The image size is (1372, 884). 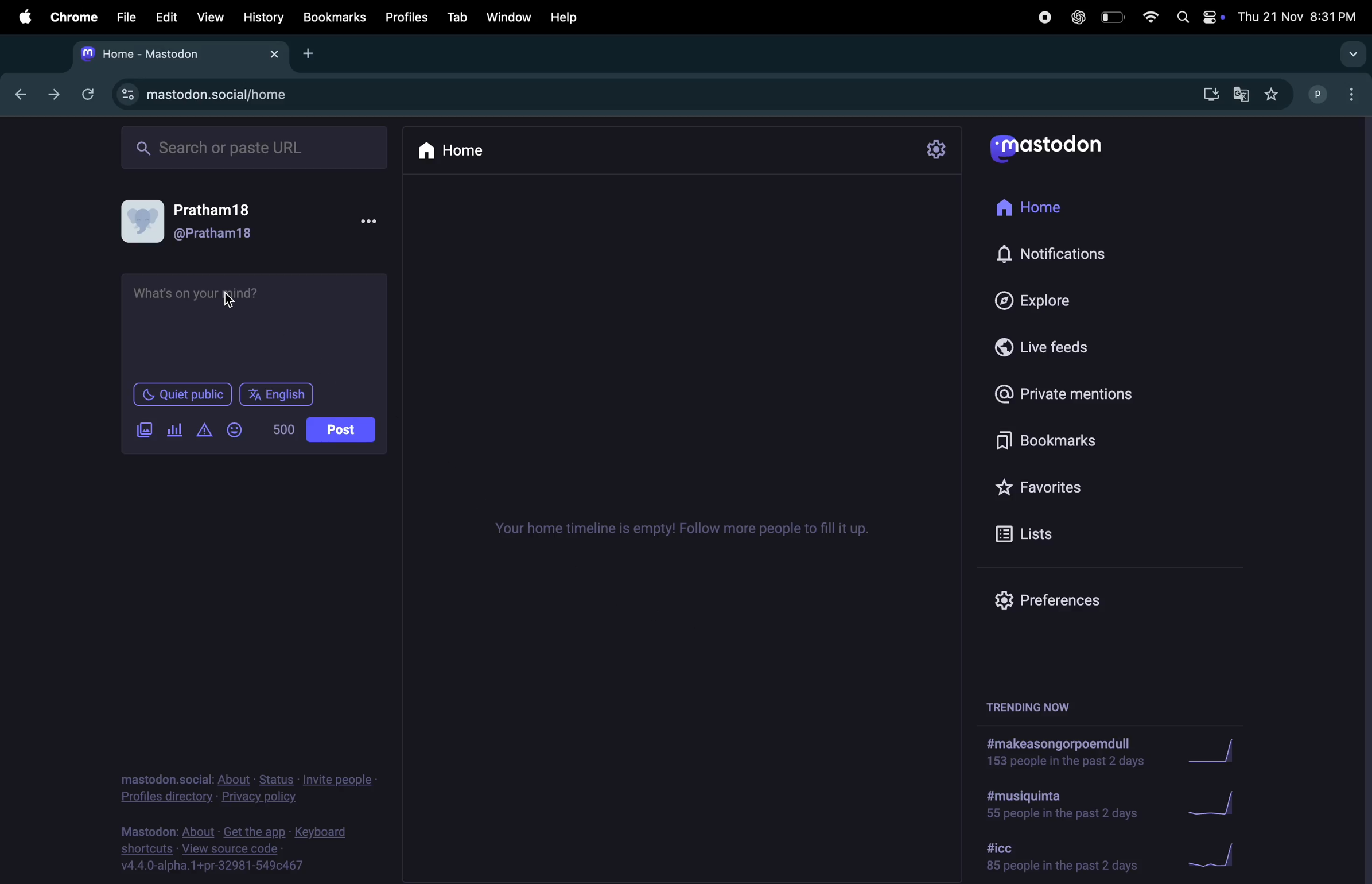 I want to click on quiet place, so click(x=187, y=393).